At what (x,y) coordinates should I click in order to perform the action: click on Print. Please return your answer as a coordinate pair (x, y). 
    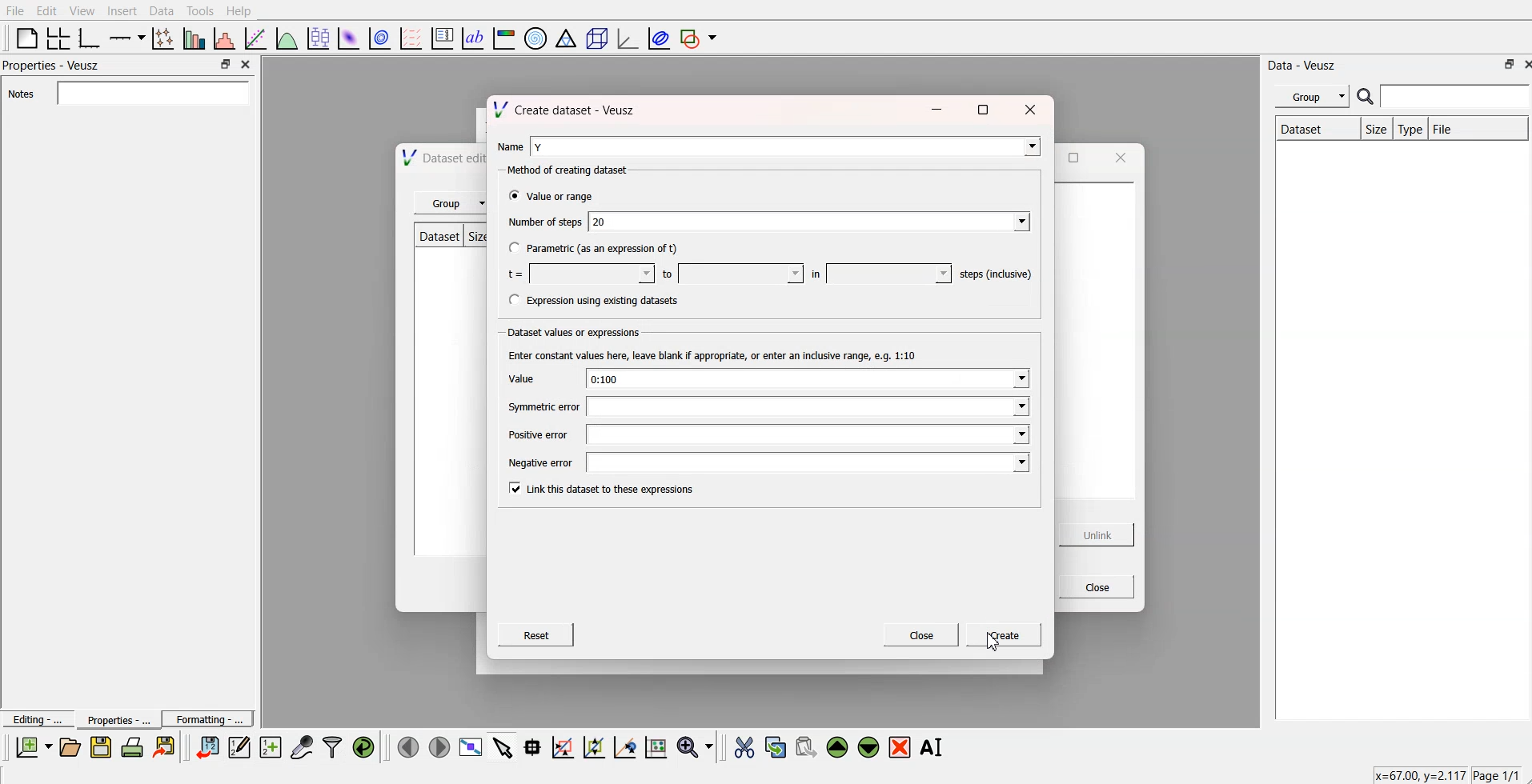
    Looking at the image, I should click on (133, 747).